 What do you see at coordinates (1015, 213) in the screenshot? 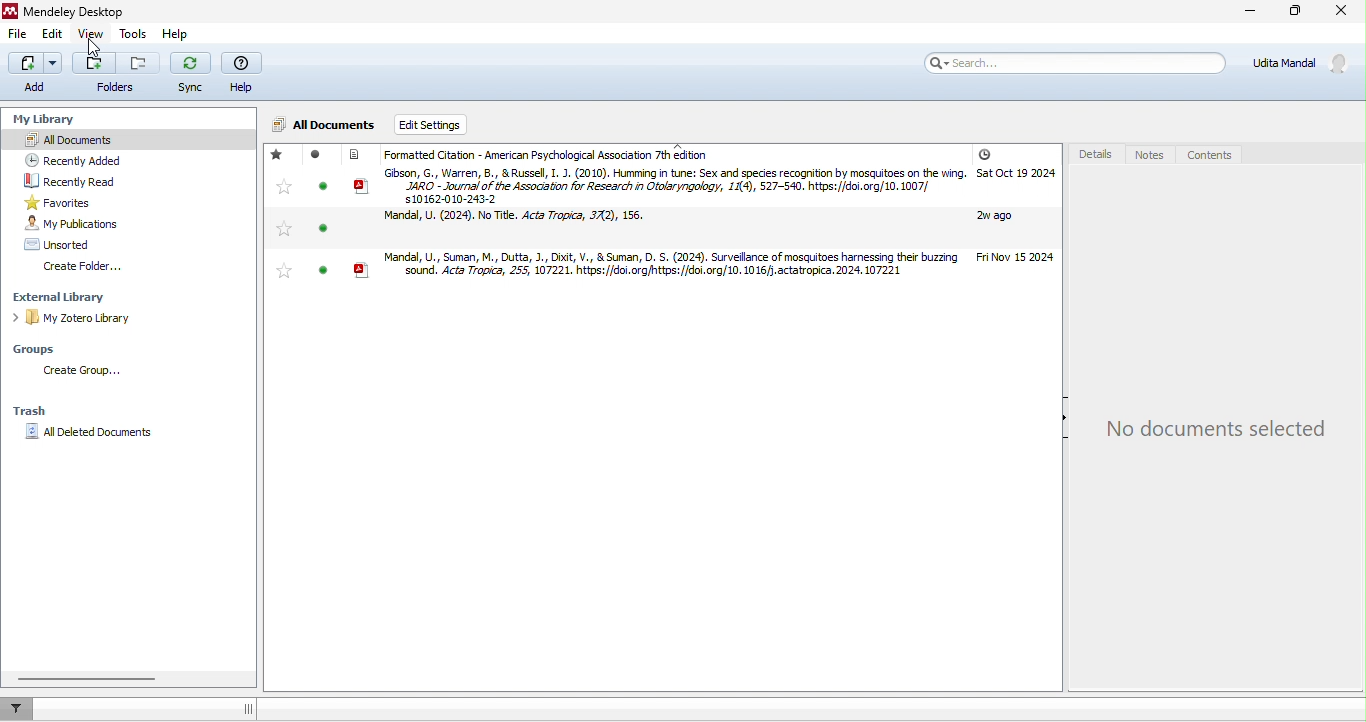
I see `hd
satOct 192024
2ag0

FriNov 152024` at bounding box center [1015, 213].